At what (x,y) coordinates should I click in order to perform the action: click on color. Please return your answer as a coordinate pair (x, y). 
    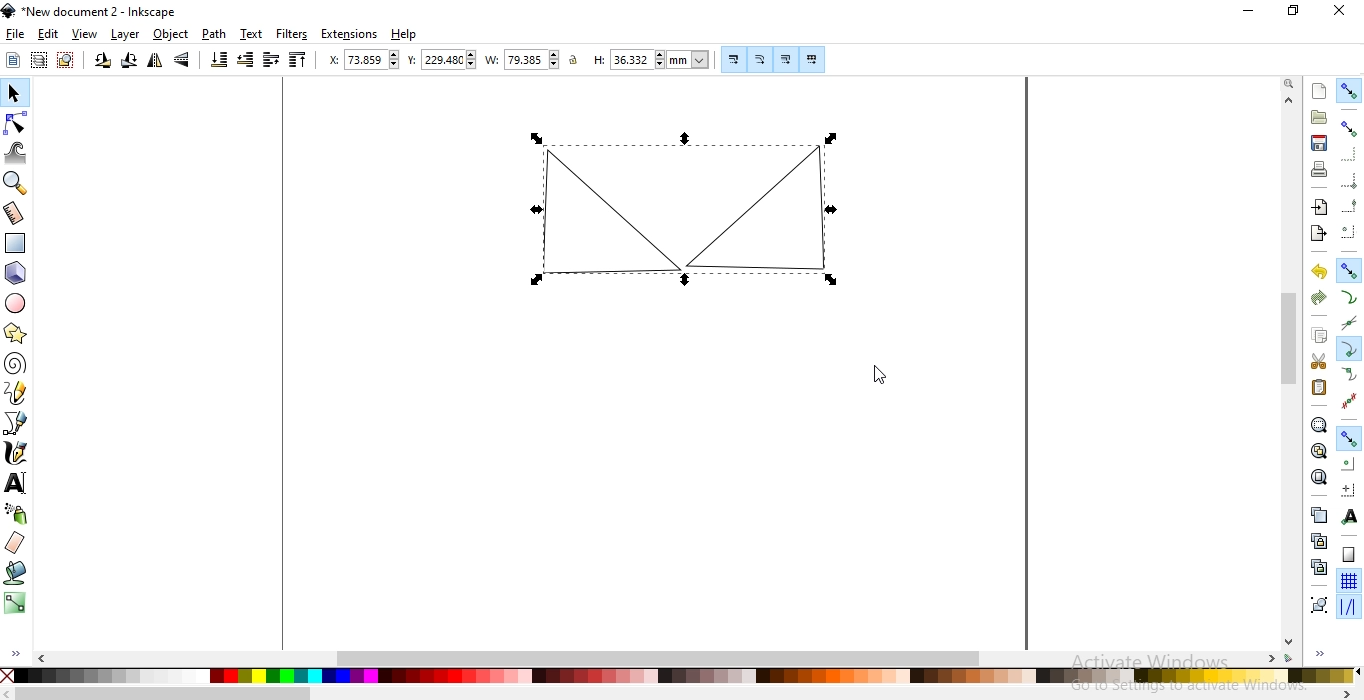
    Looking at the image, I should click on (680, 676).